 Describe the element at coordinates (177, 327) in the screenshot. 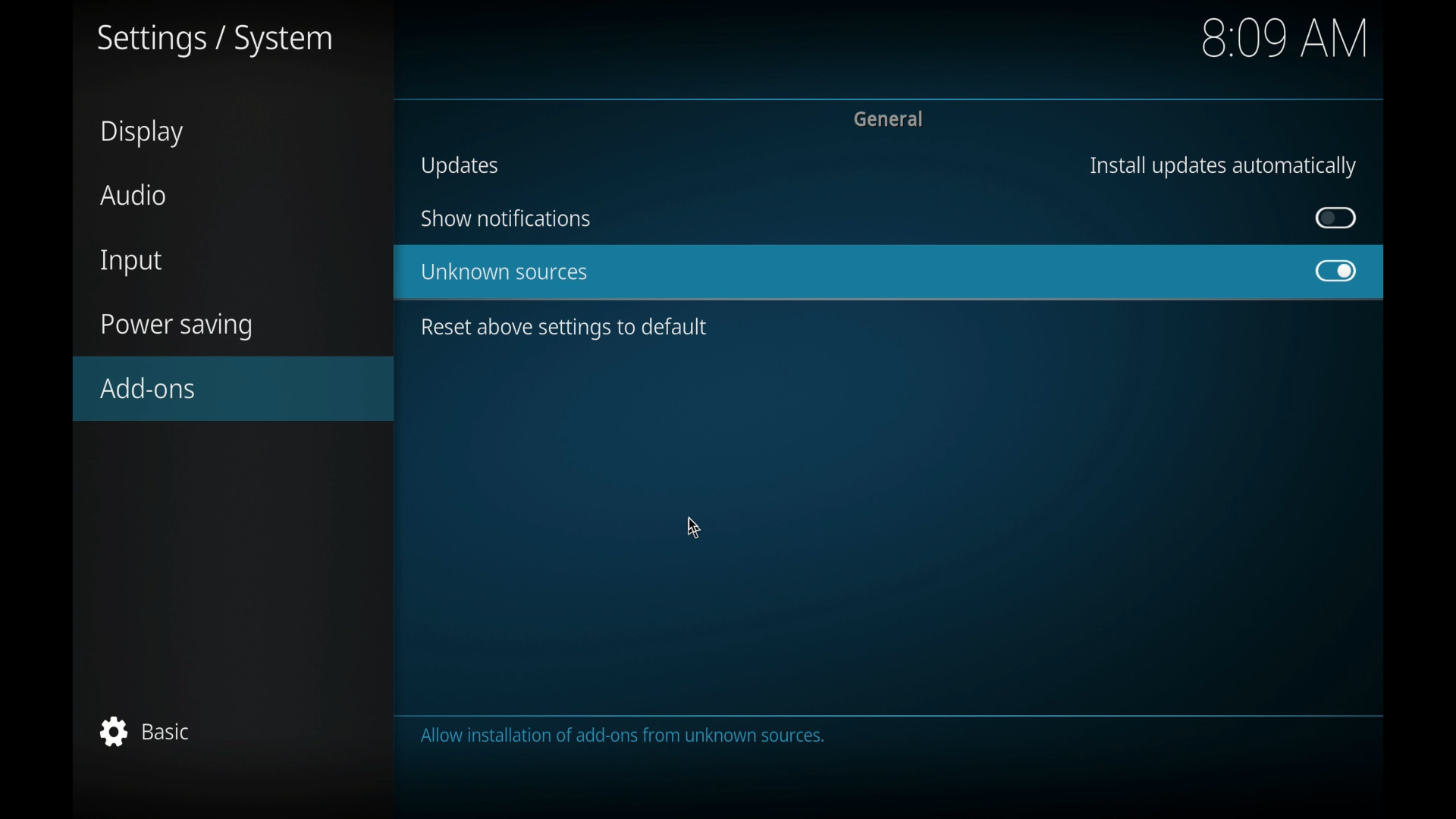

I see `power saving` at that location.